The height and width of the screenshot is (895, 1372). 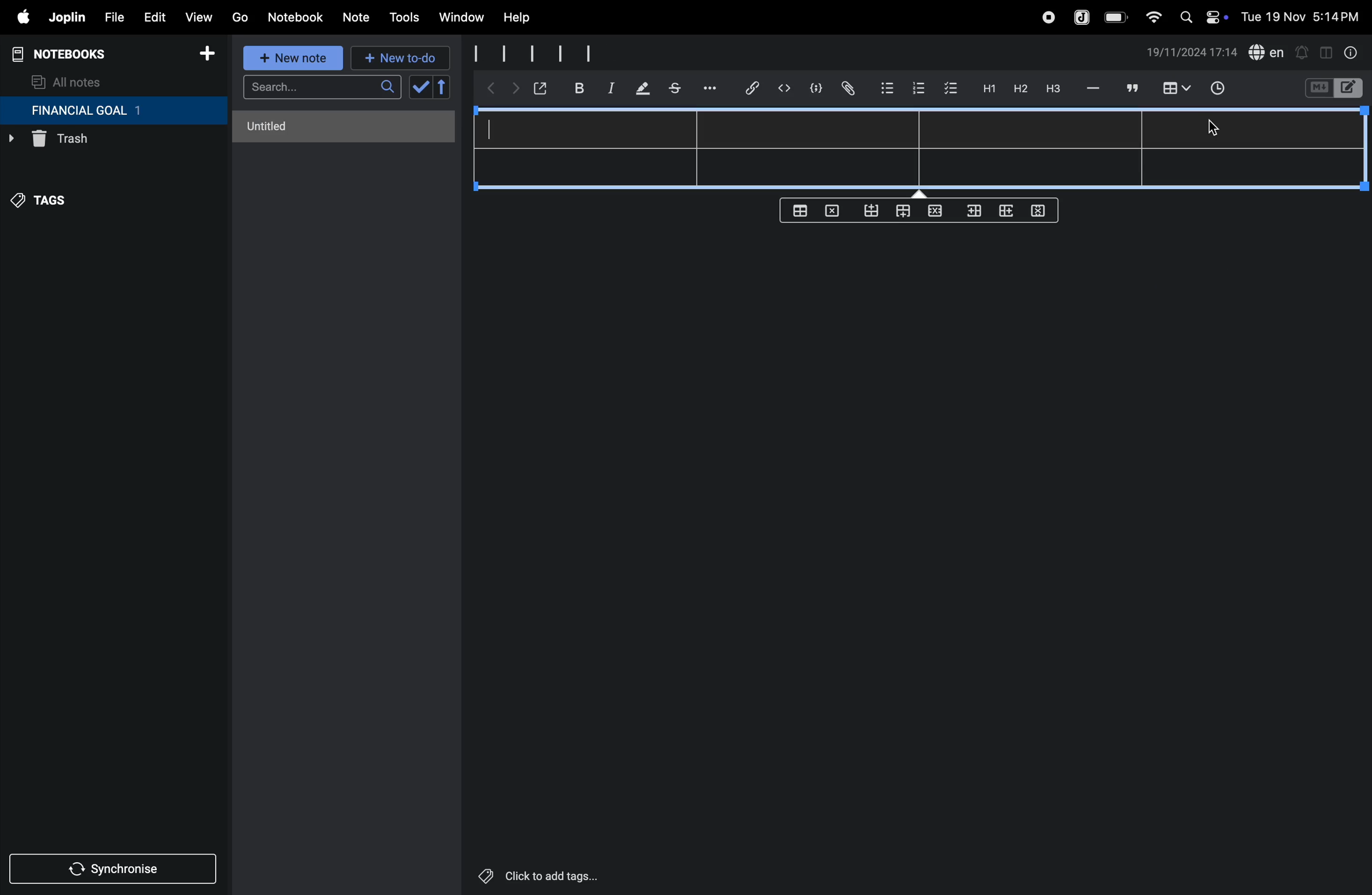 What do you see at coordinates (972, 213) in the screenshot?
I see `inser rows` at bounding box center [972, 213].